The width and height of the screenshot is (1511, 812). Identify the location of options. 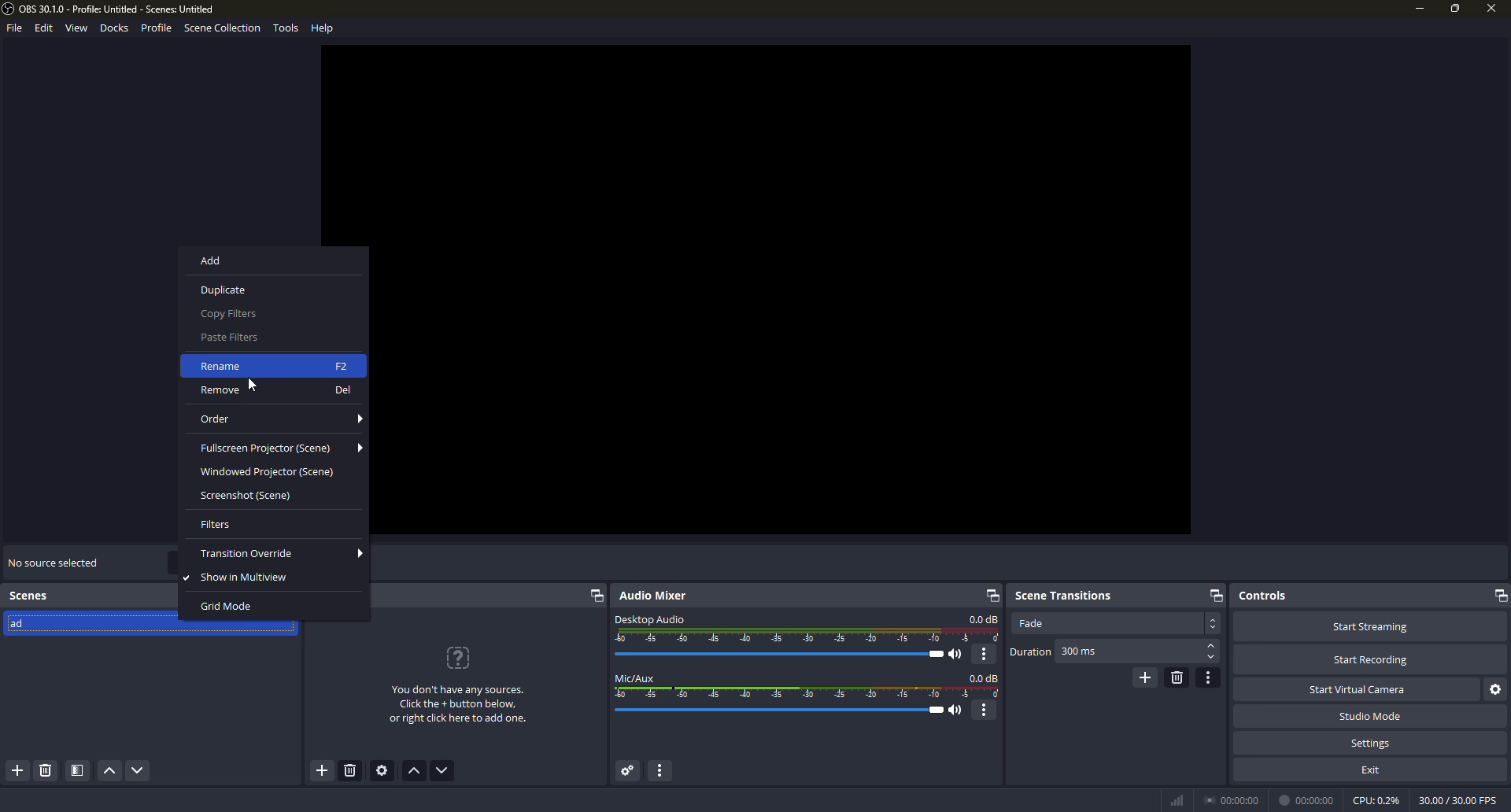
(985, 654).